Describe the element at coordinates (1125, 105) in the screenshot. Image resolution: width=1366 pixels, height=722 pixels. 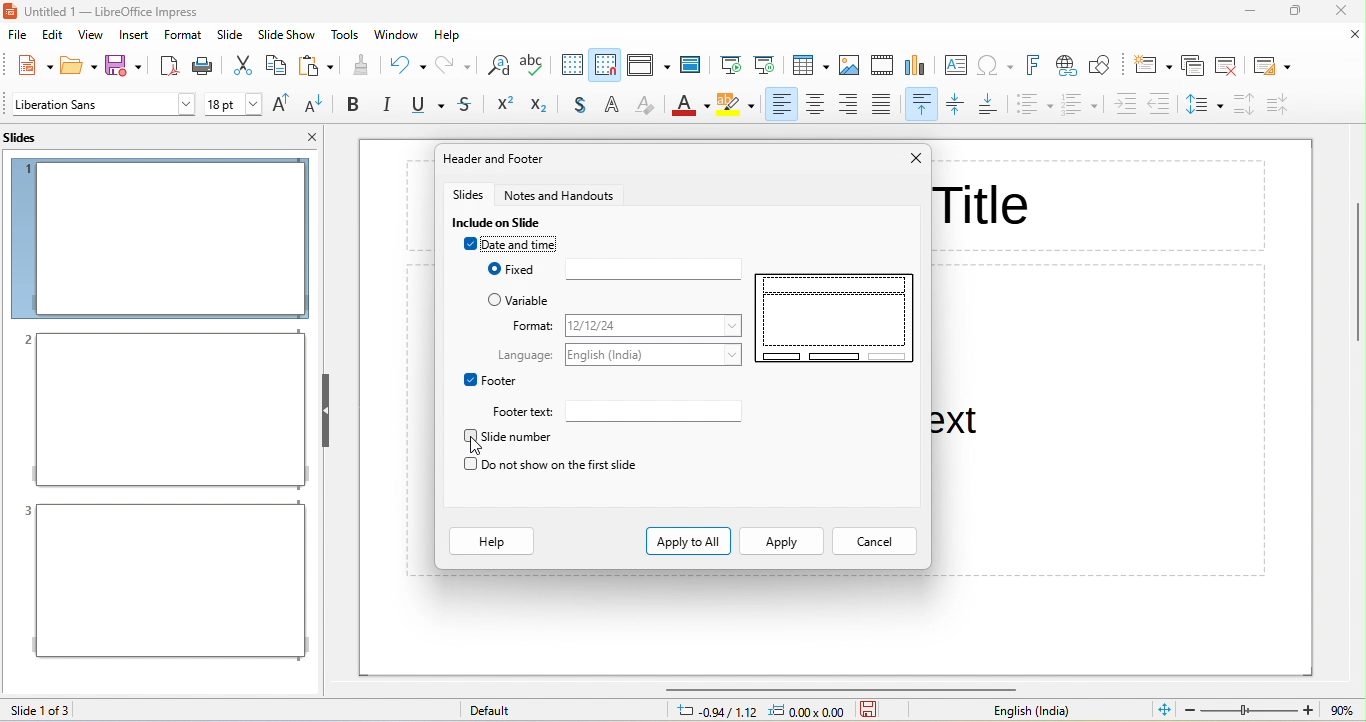
I see `increase indent` at that location.